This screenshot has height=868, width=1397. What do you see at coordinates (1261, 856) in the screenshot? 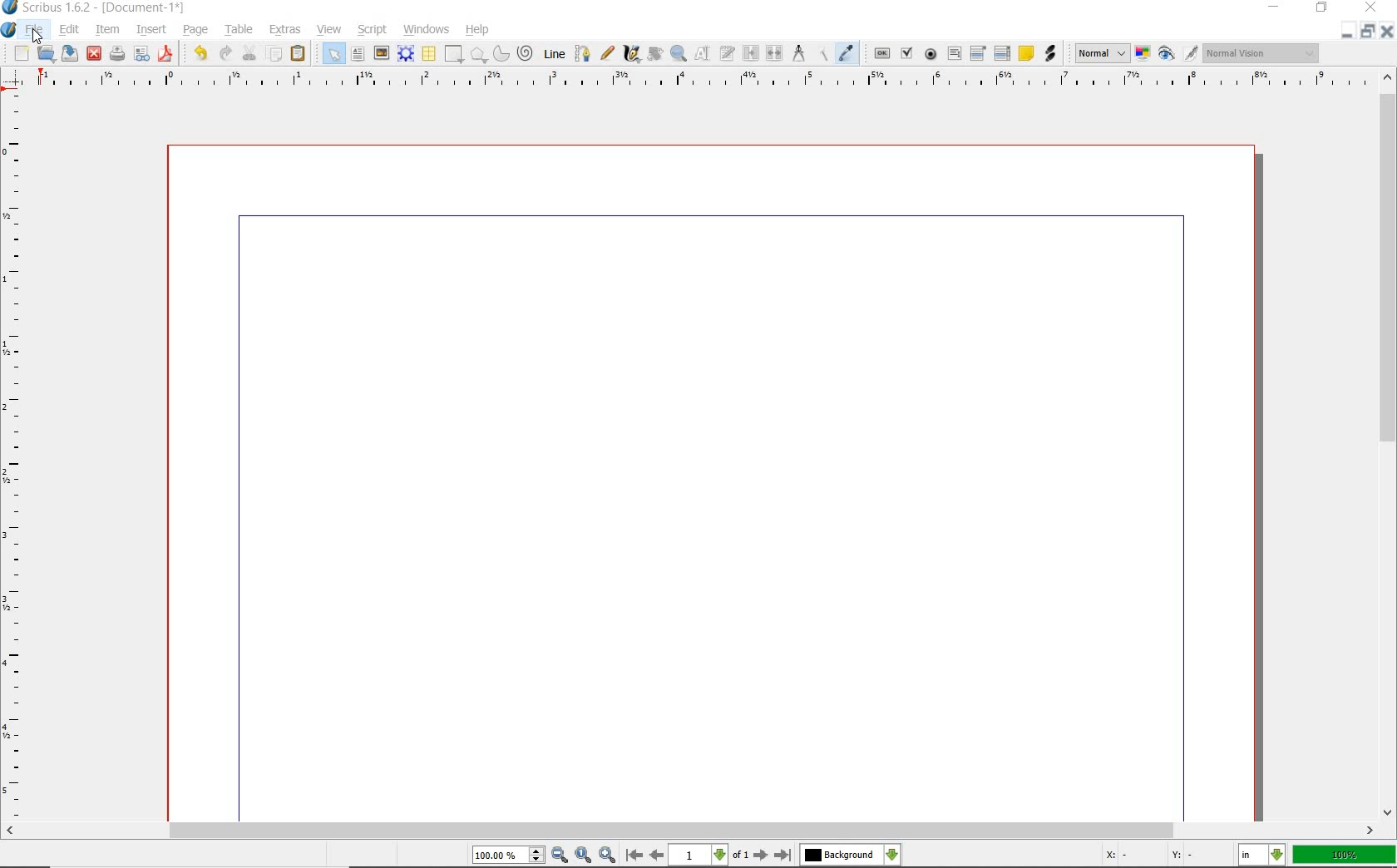
I see `select the current unit` at bounding box center [1261, 856].